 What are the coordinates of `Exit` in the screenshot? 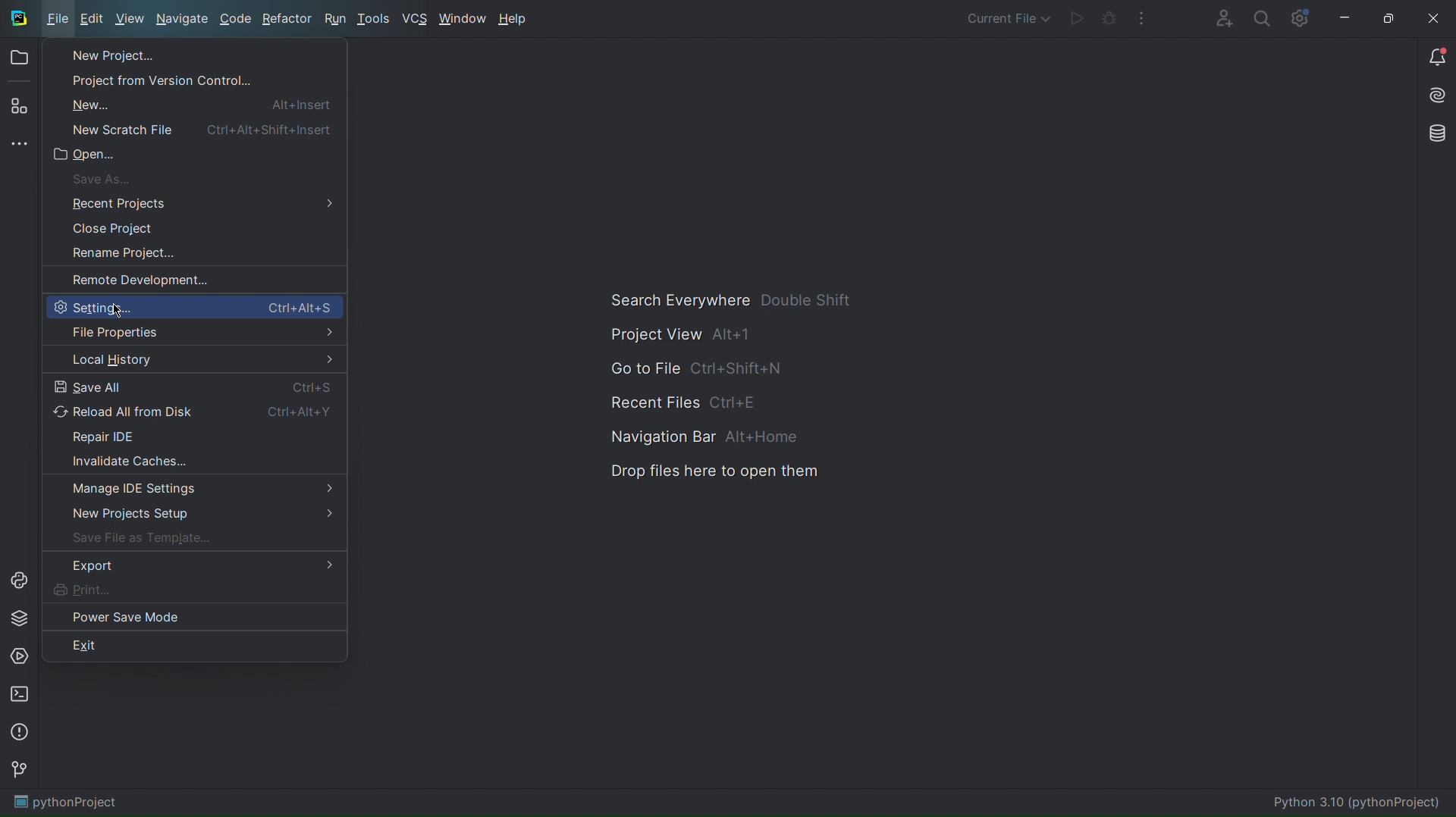 It's located at (196, 646).